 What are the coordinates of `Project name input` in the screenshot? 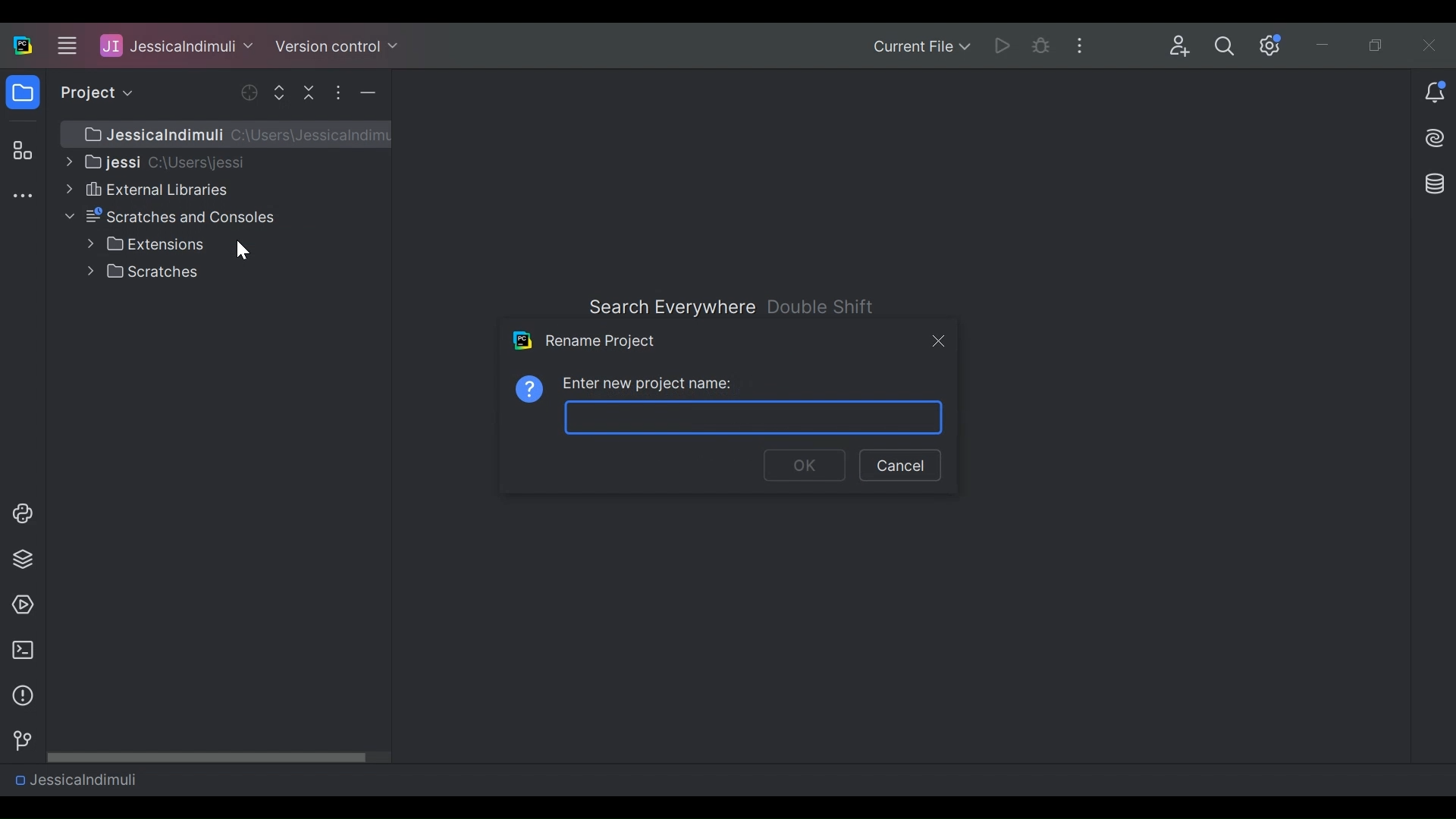 It's located at (755, 416).